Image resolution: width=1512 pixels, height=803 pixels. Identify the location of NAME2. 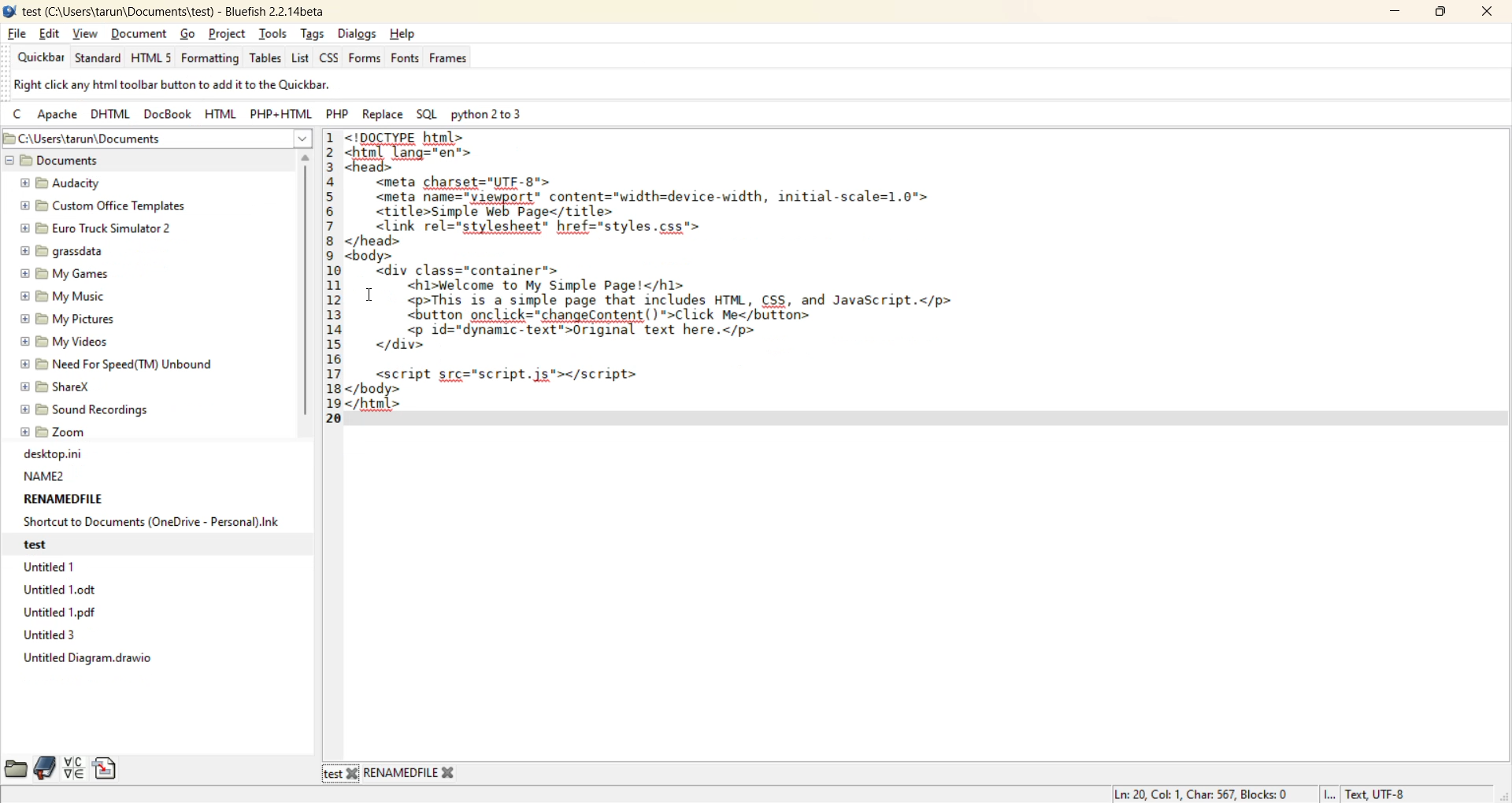
(51, 476).